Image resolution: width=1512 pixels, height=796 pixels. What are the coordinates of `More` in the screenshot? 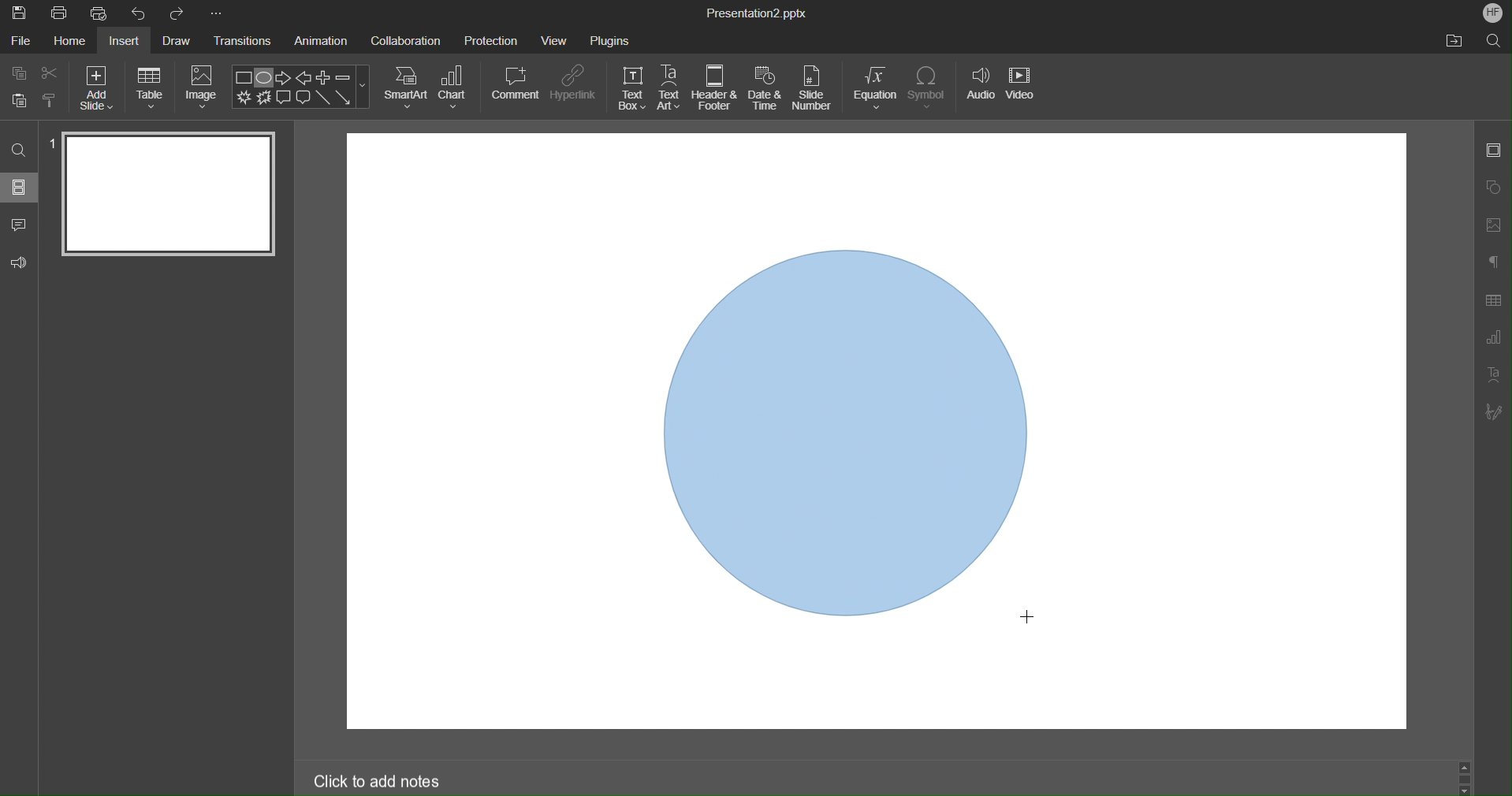 It's located at (216, 13).